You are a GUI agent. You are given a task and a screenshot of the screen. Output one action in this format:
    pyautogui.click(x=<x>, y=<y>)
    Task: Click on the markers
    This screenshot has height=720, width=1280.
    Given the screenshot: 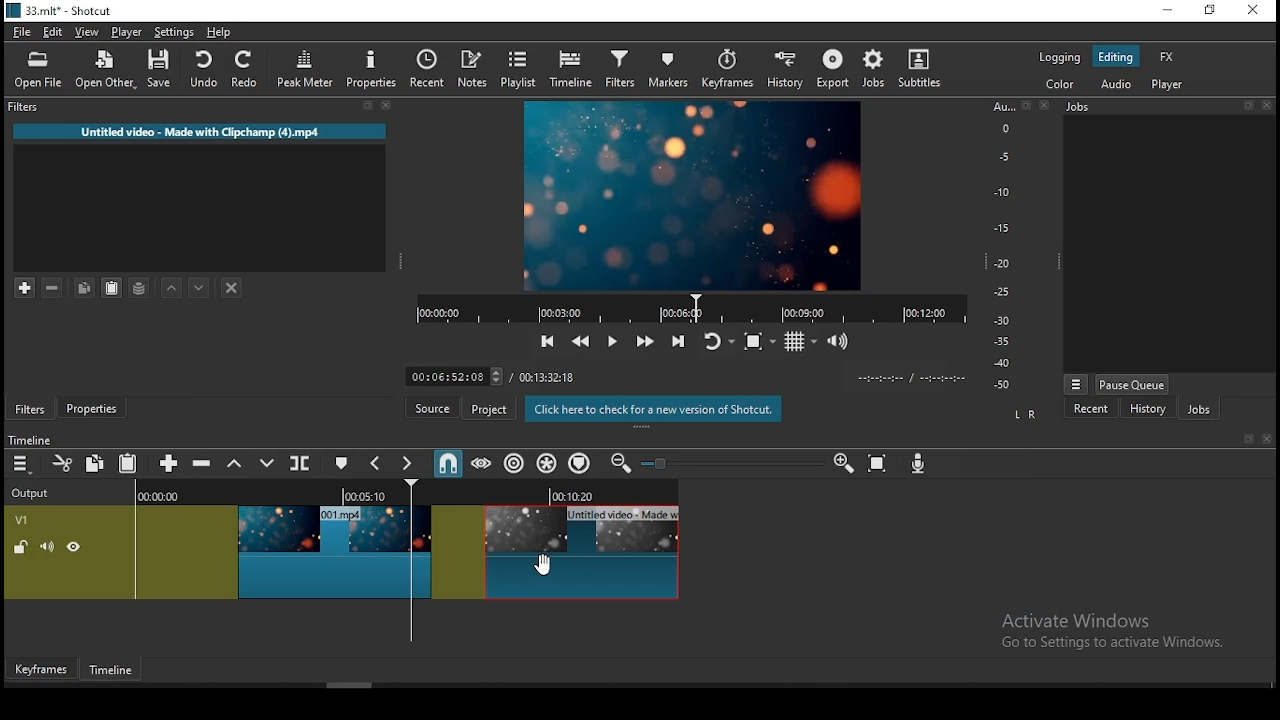 What is the action you would take?
    pyautogui.click(x=668, y=69)
    